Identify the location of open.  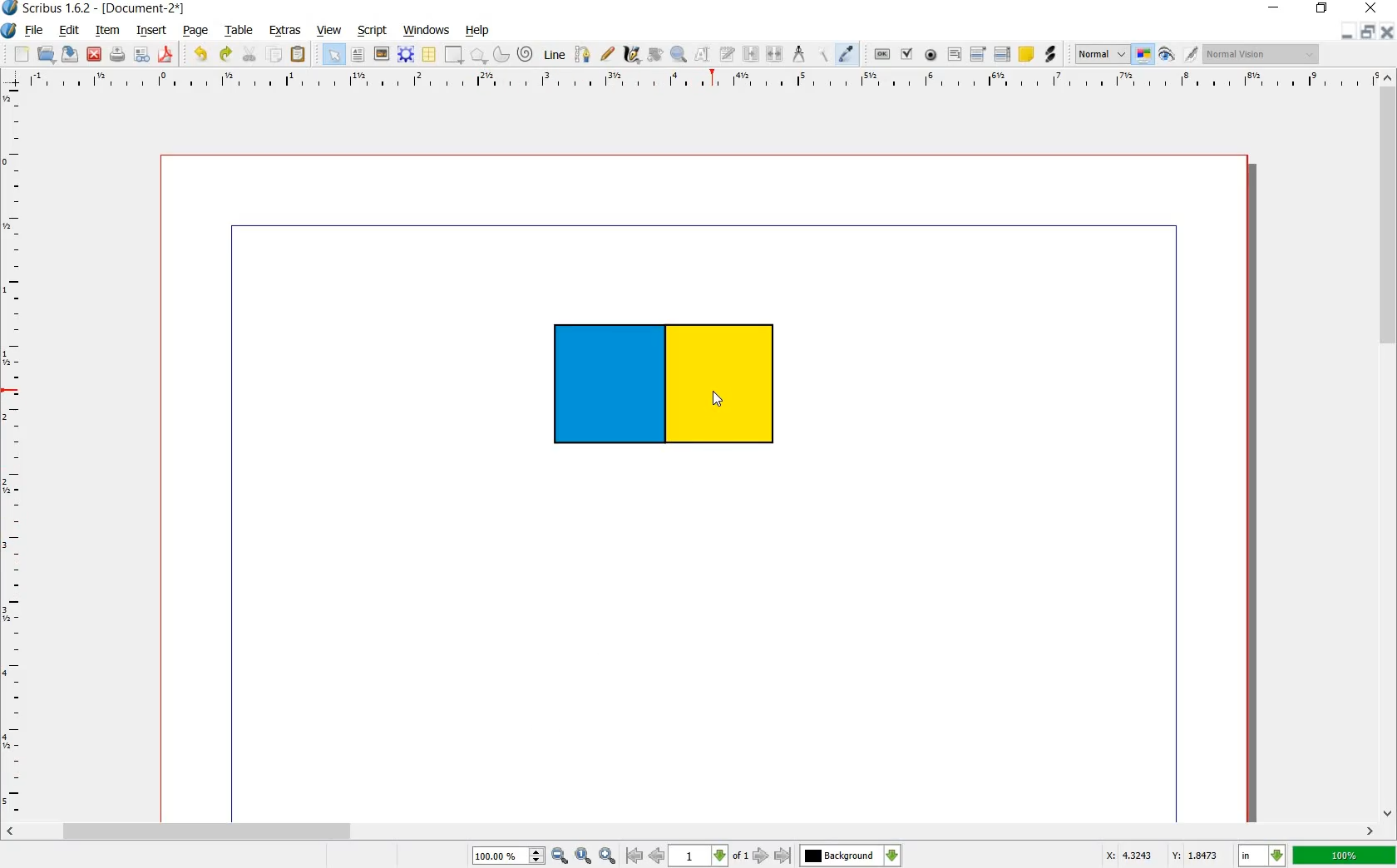
(45, 54).